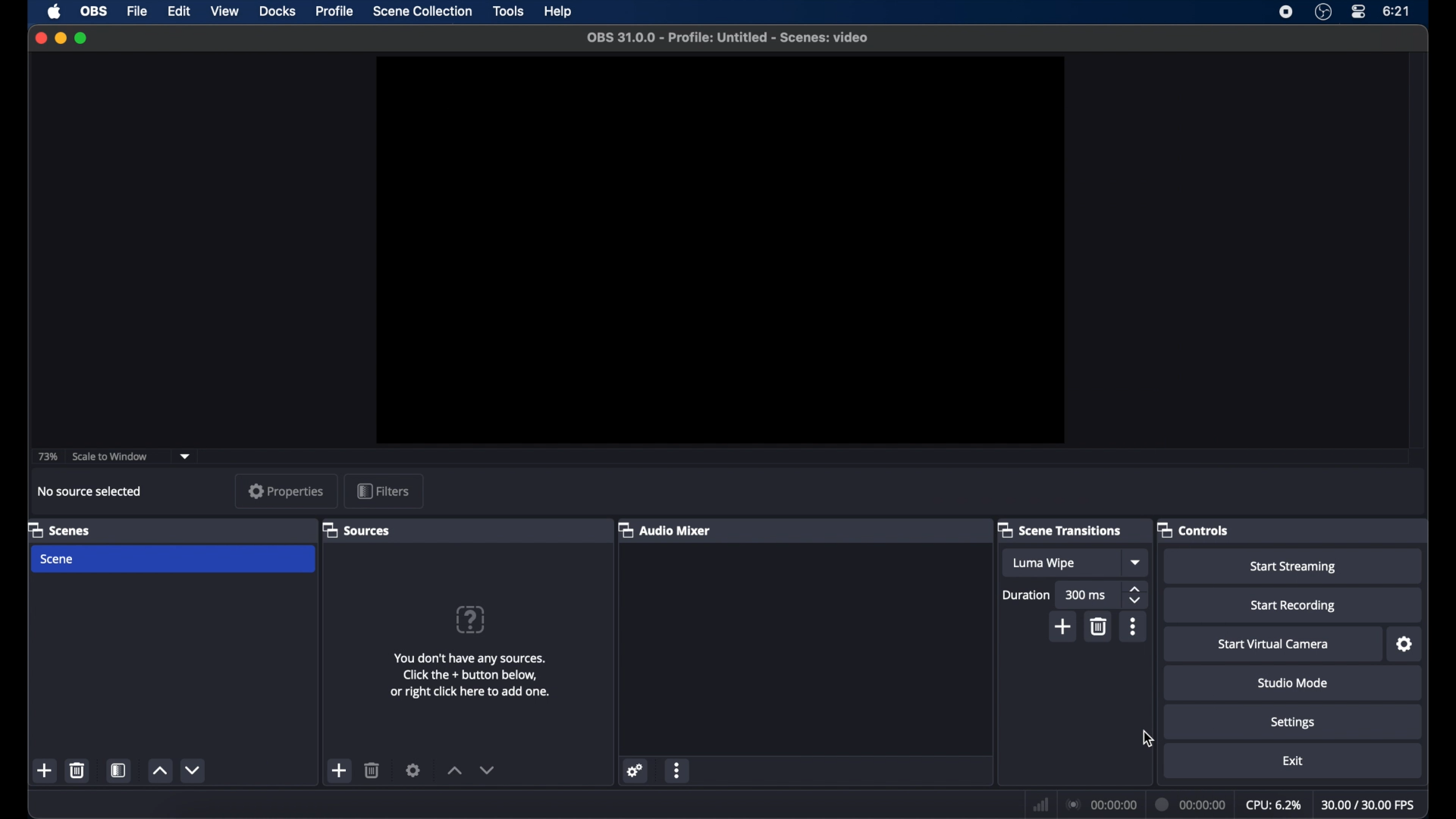 This screenshot has width=1456, height=819. What do you see at coordinates (1293, 682) in the screenshot?
I see `studio mode` at bounding box center [1293, 682].